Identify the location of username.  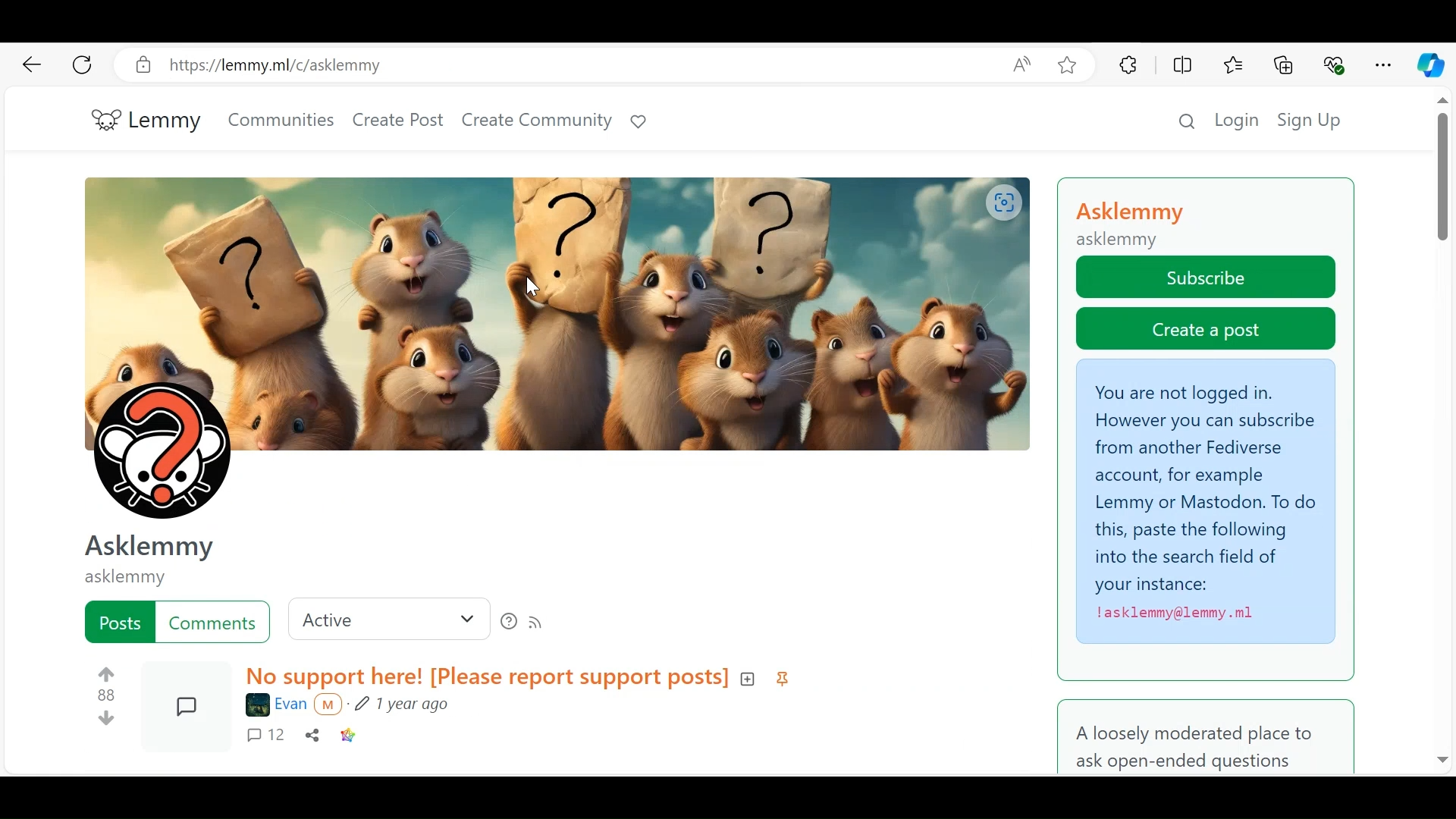
(128, 576).